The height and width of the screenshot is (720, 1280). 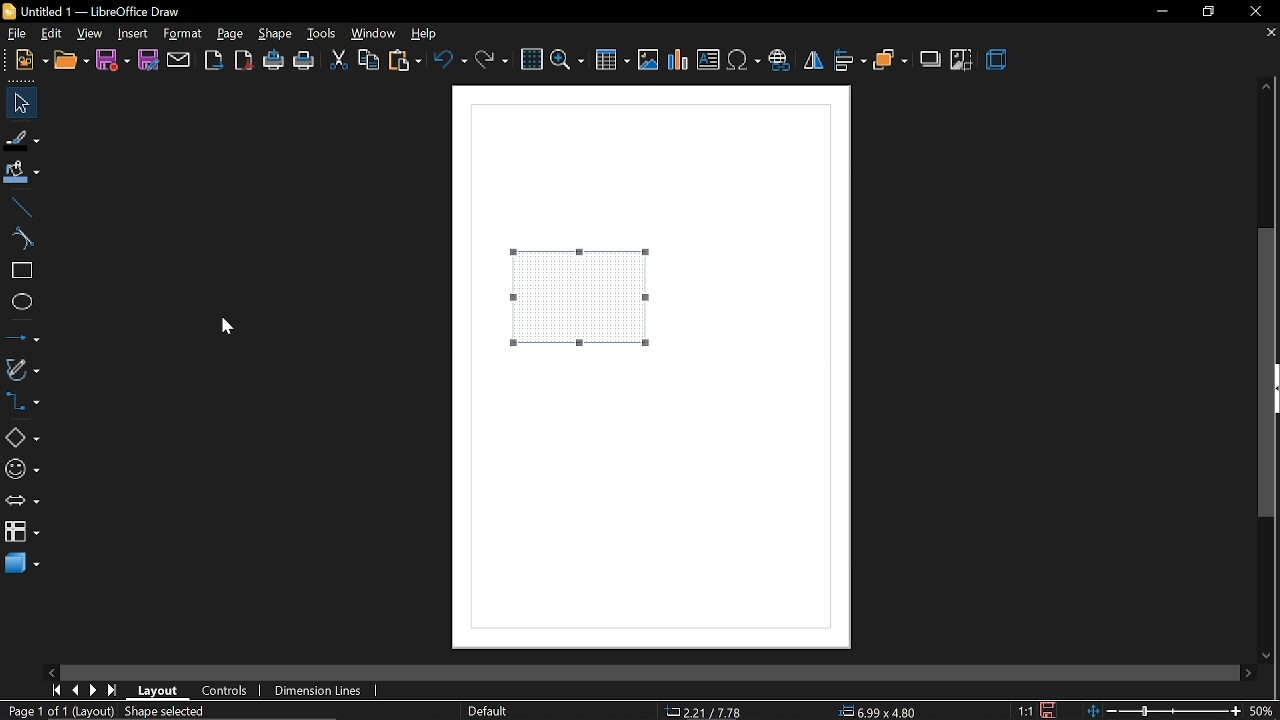 I want to click on file, so click(x=15, y=33).